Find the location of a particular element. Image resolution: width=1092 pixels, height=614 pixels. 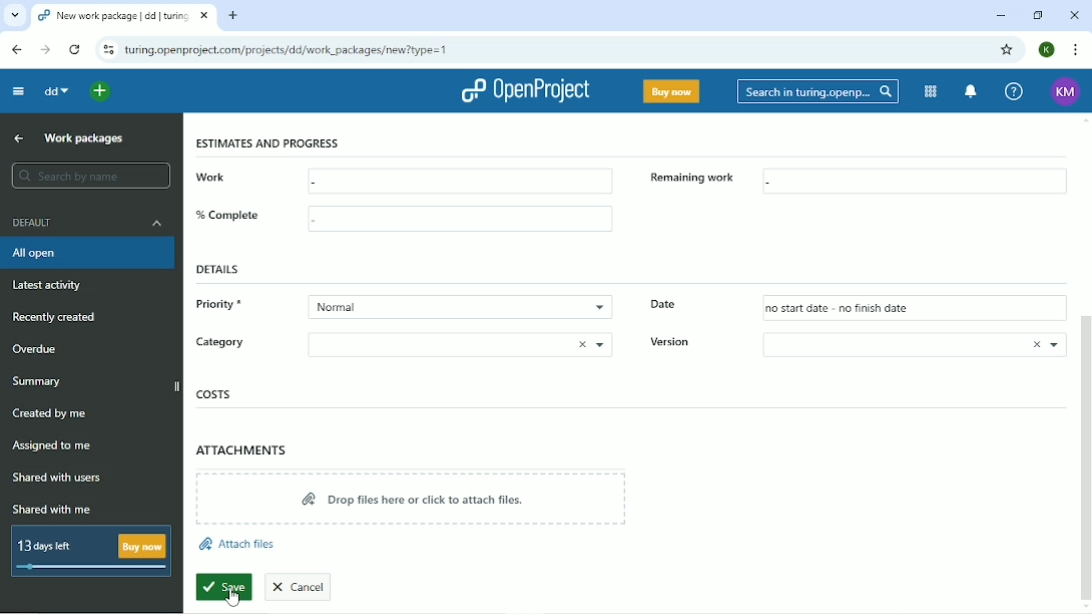

Assigned to me is located at coordinates (52, 446).